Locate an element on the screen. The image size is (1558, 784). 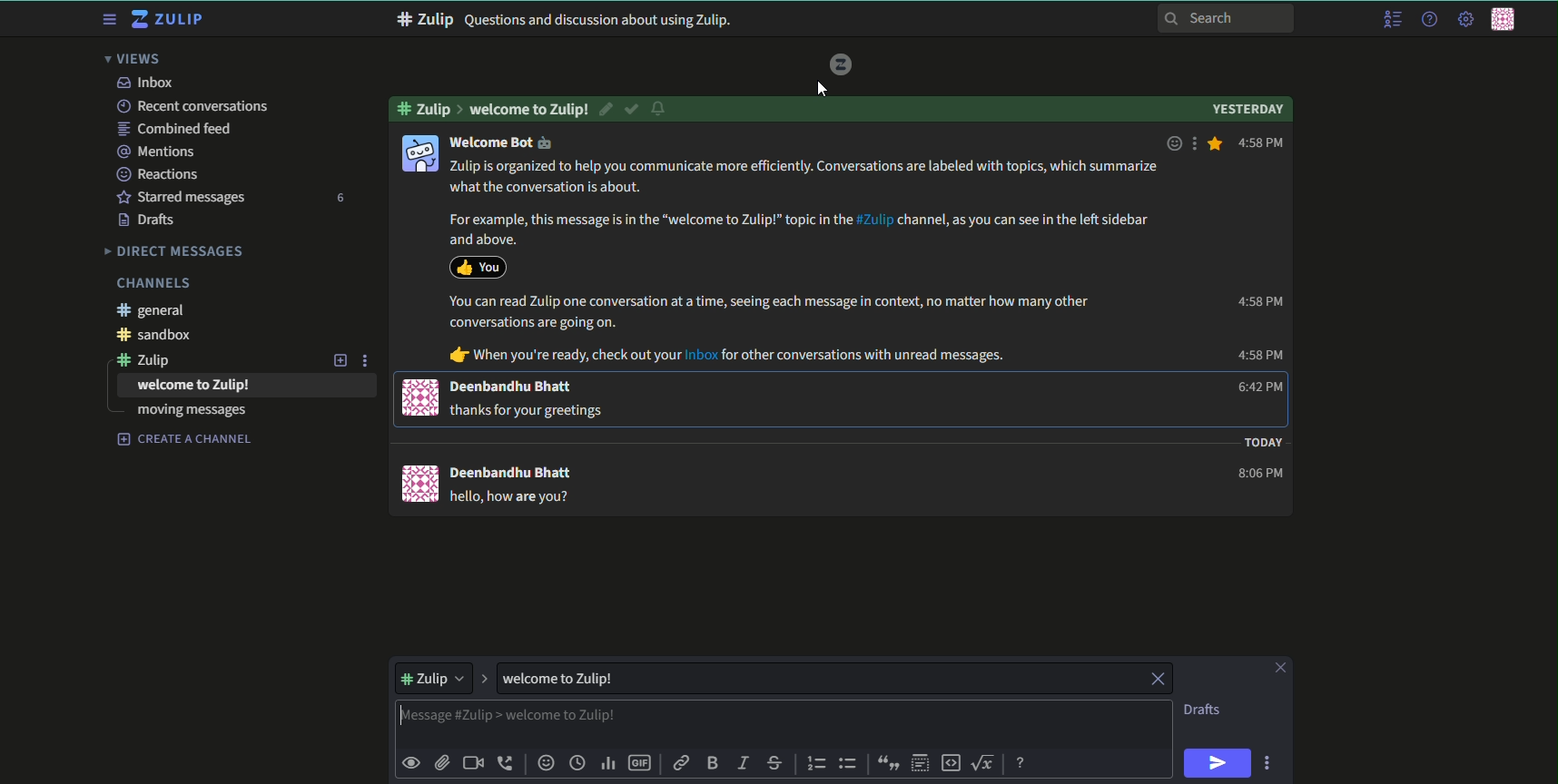
Today is located at coordinates (1264, 443).